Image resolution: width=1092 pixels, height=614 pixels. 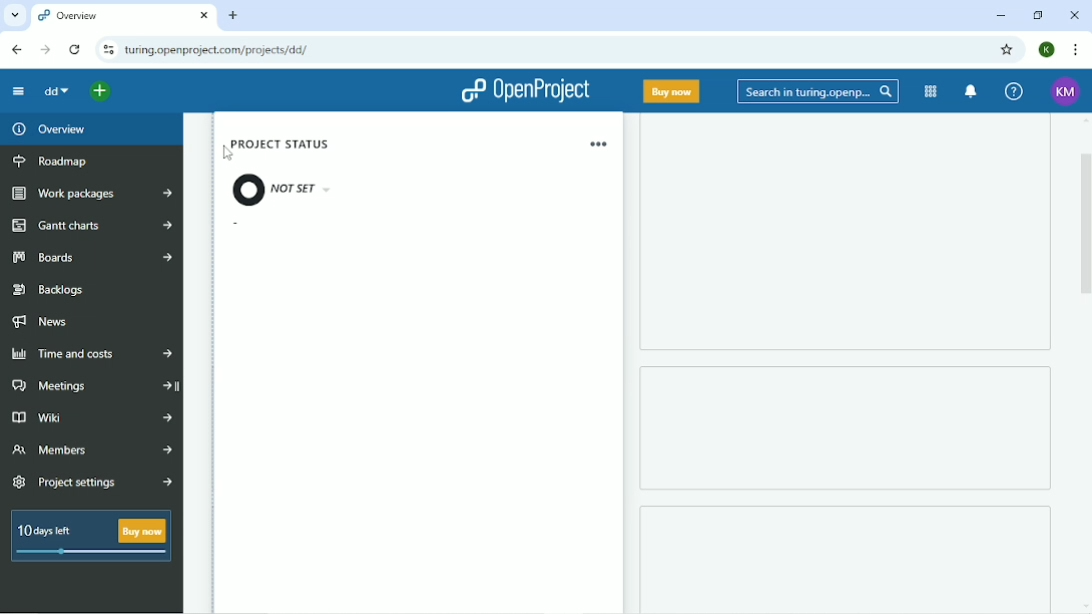 What do you see at coordinates (1015, 92) in the screenshot?
I see `Help` at bounding box center [1015, 92].